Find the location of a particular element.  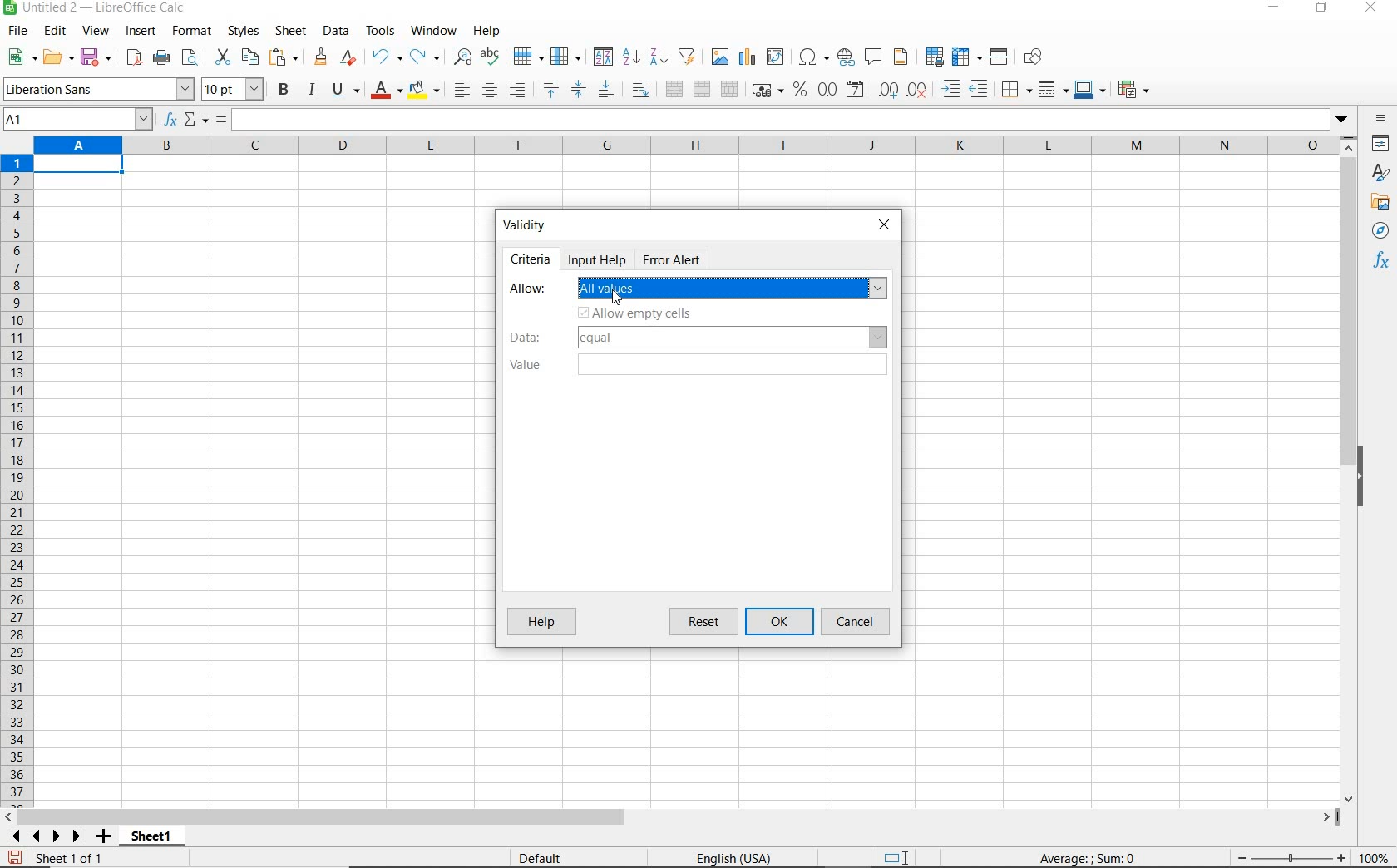

toggle print preview is located at coordinates (192, 59).